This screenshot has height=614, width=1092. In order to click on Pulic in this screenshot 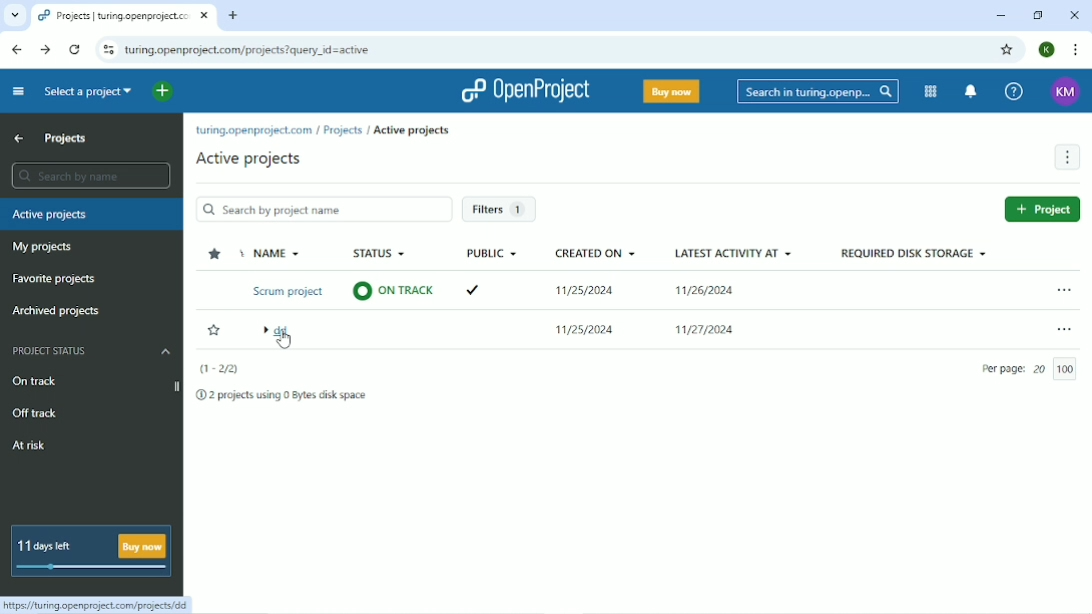, I will do `click(492, 254)`.